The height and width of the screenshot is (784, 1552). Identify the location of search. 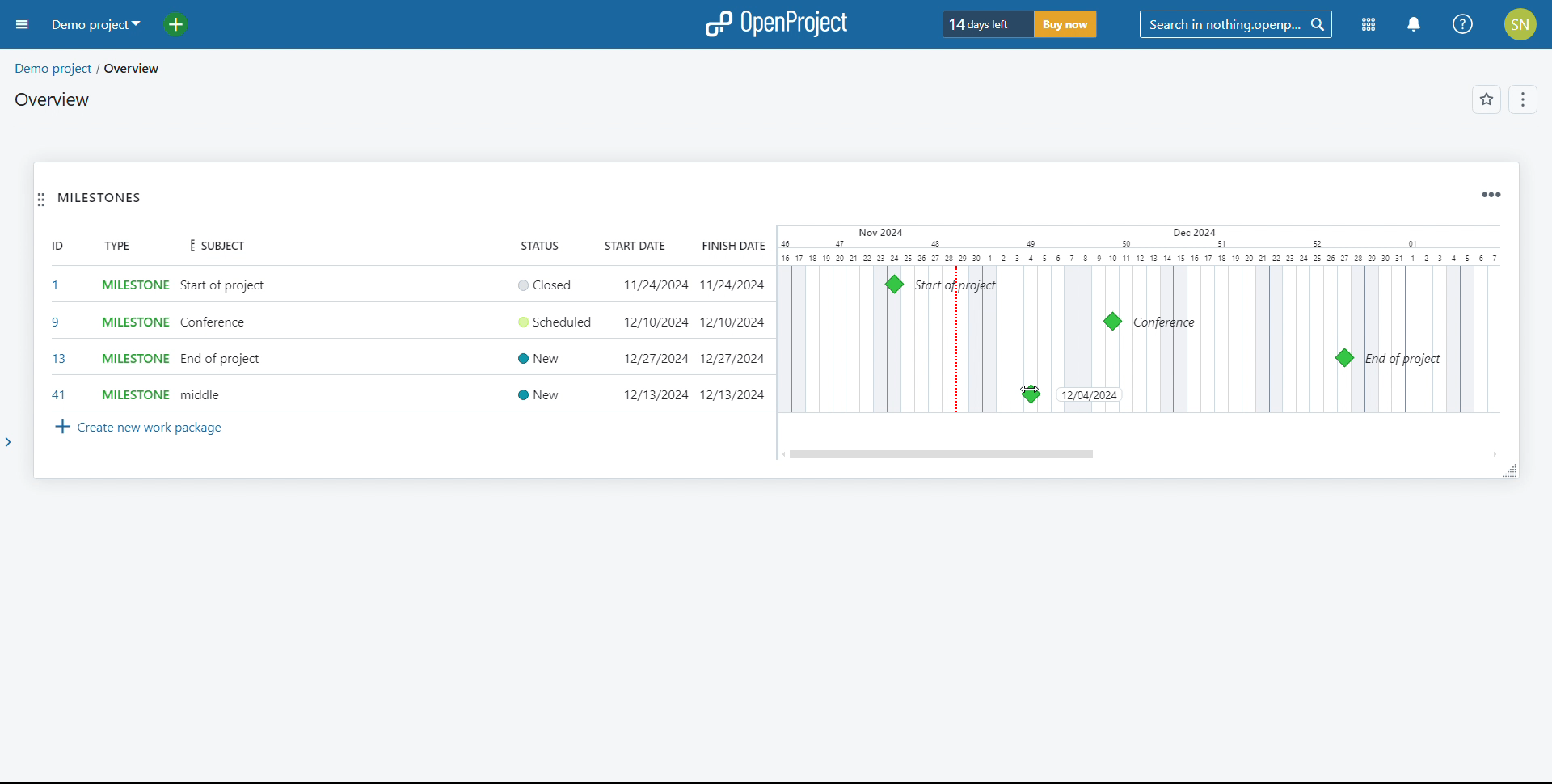
(1235, 24).